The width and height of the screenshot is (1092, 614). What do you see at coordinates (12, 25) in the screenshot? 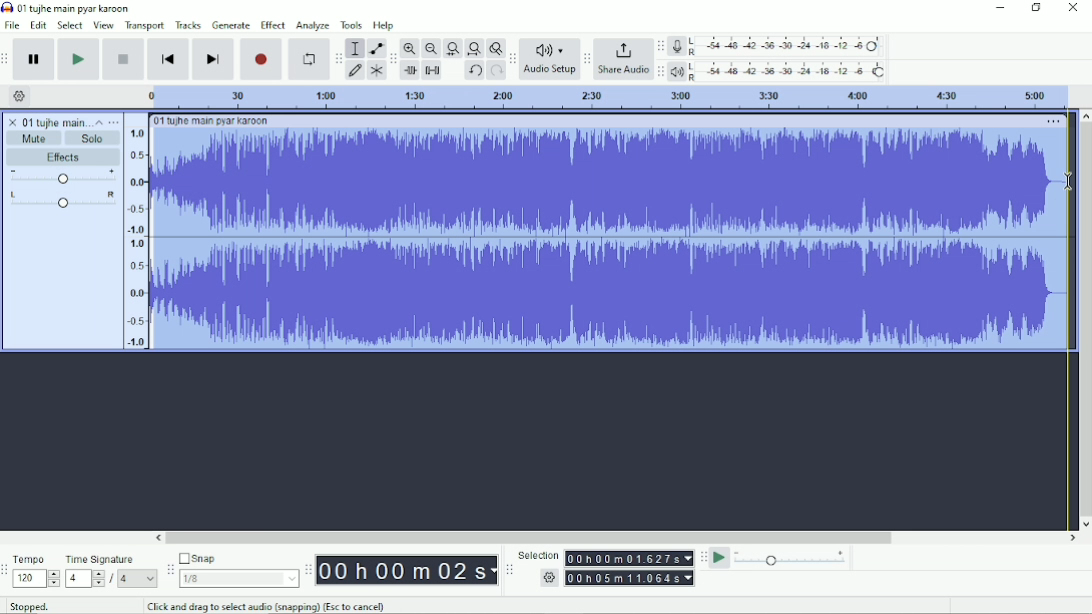
I see `File` at bounding box center [12, 25].